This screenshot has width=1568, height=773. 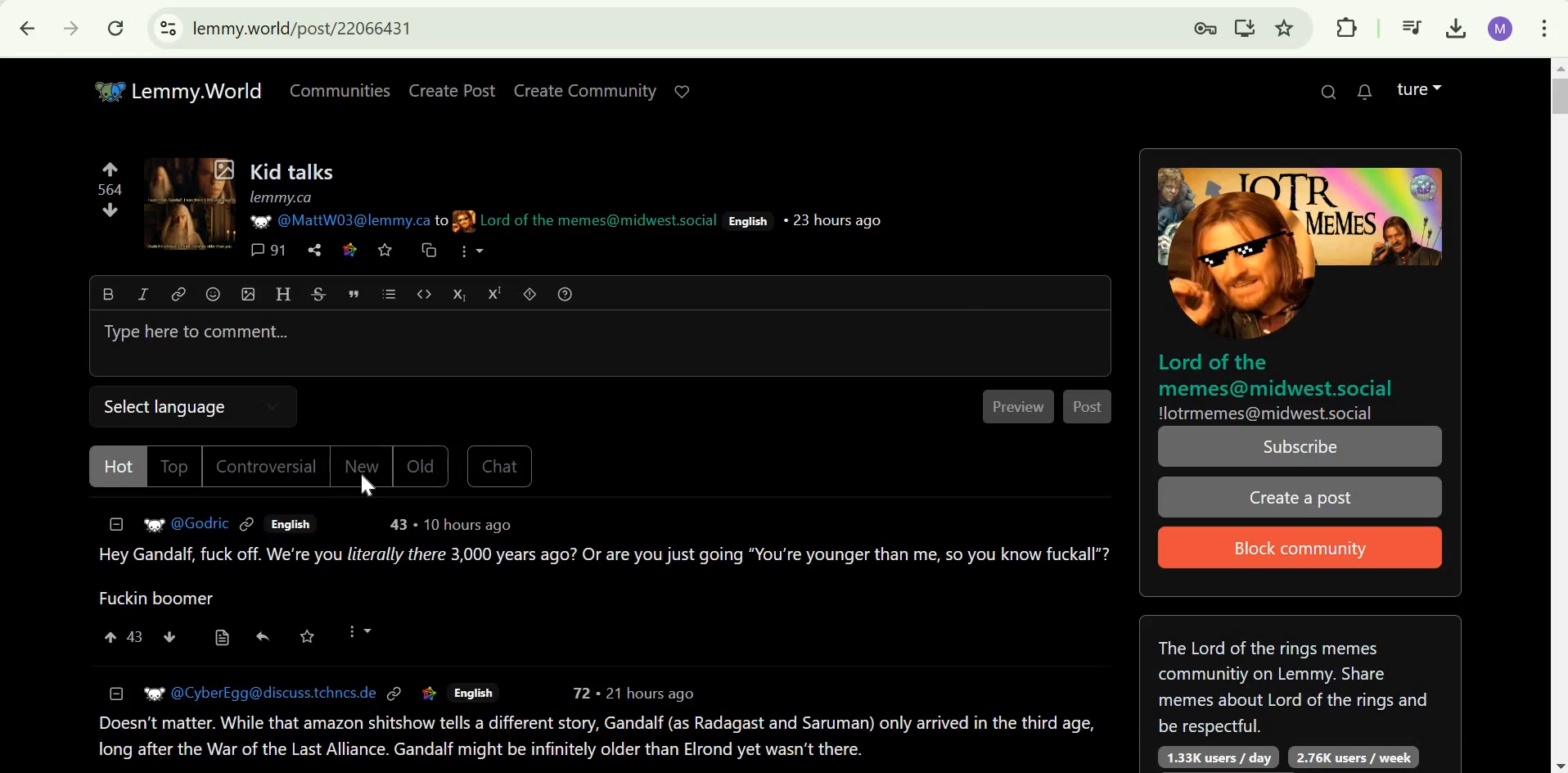 I want to click on View site information, so click(x=168, y=28).